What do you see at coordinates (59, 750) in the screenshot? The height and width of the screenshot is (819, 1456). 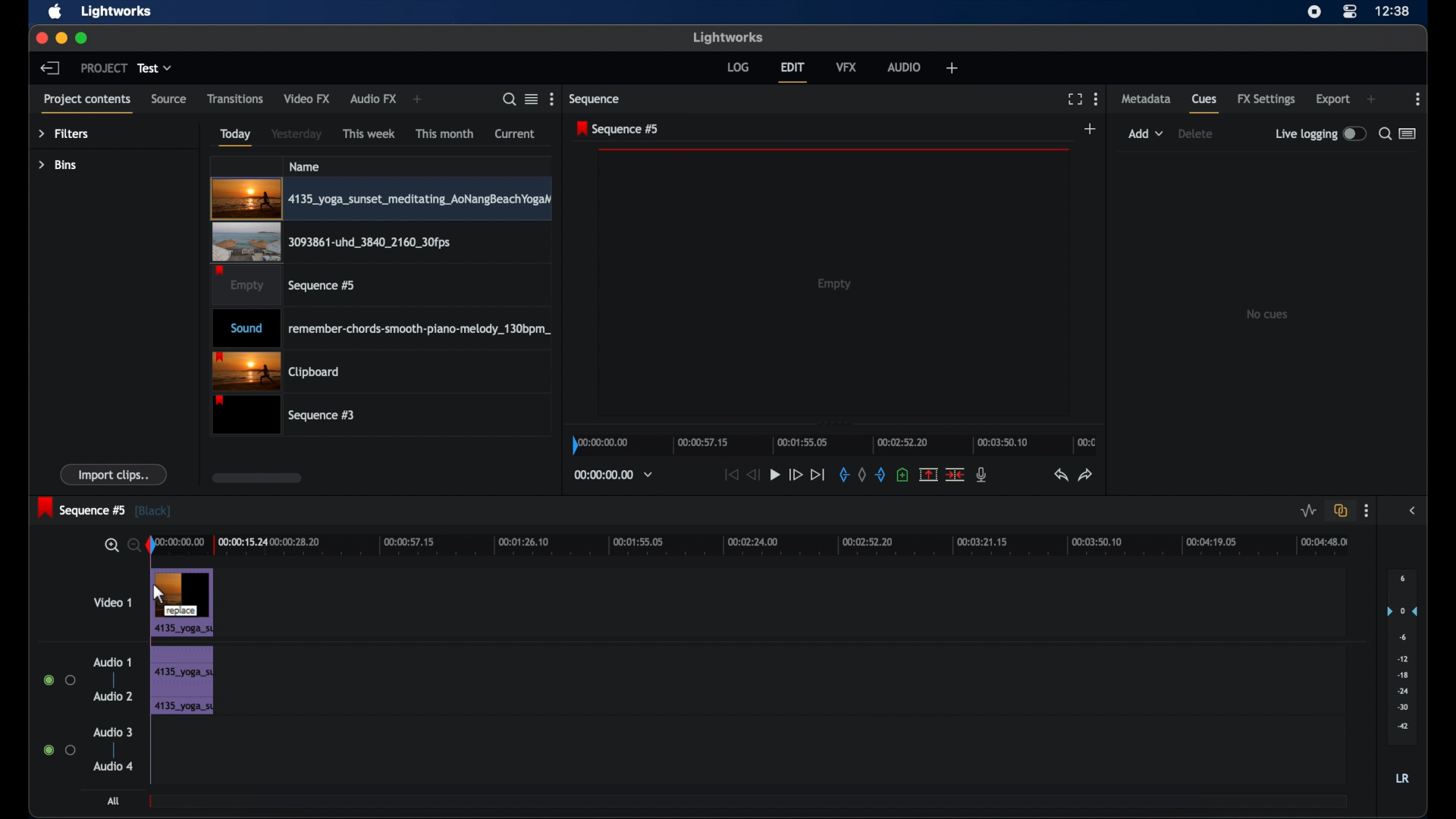 I see `radio button` at bounding box center [59, 750].